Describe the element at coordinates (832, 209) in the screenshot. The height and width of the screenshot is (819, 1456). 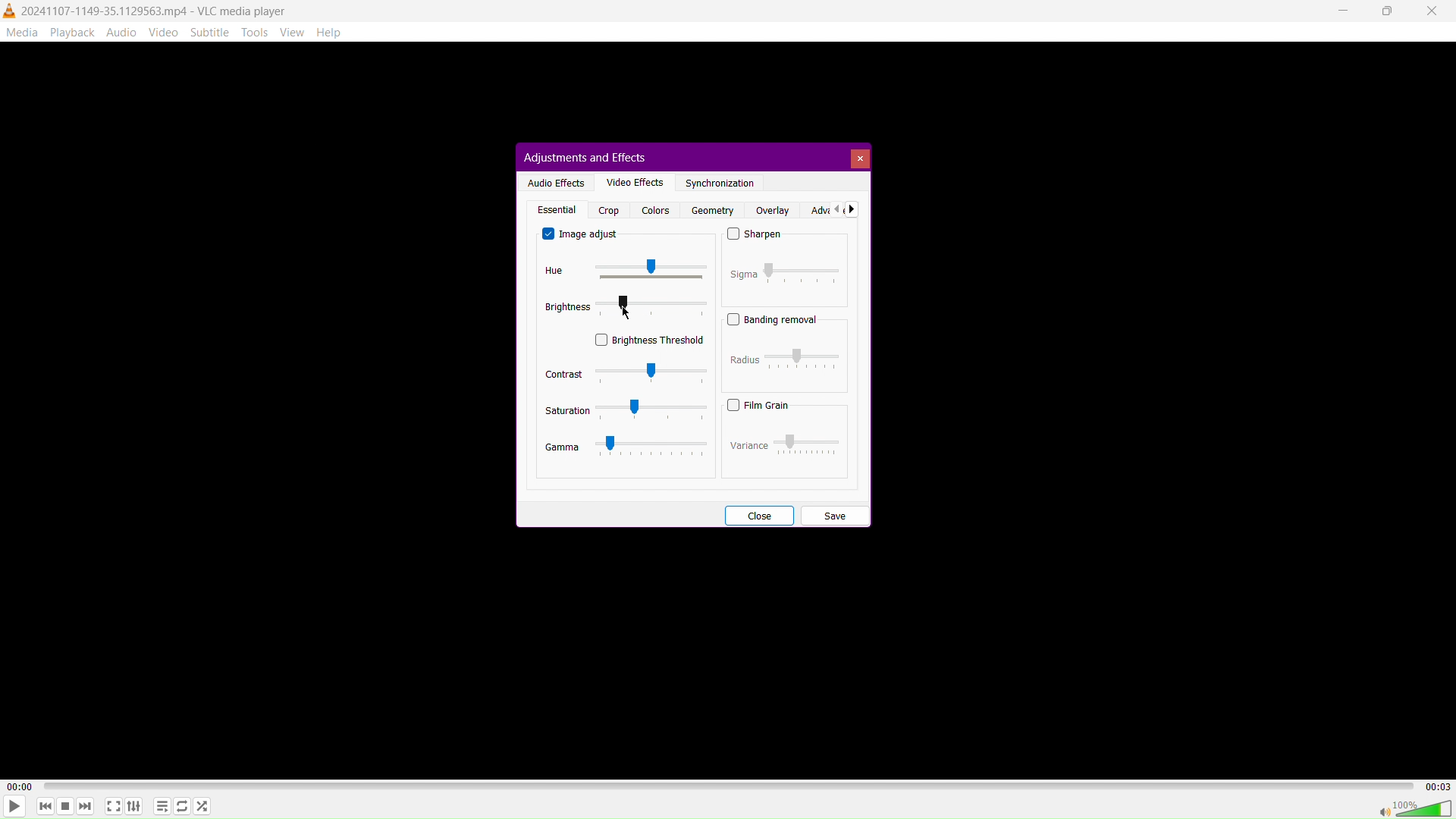
I see `Advanced` at that location.